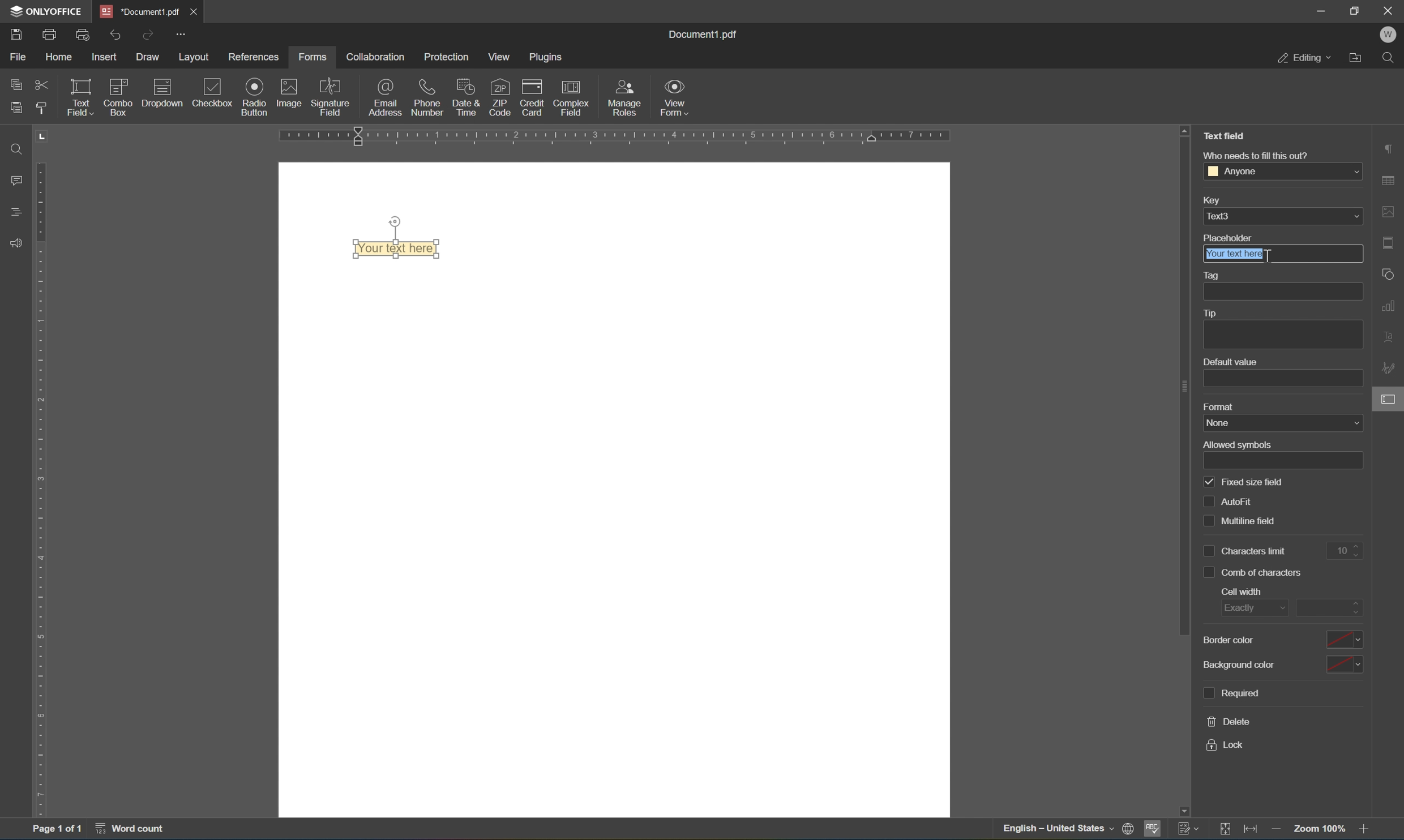 Image resolution: width=1404 pixels, height=840 pixels. What do you see at coordinates (134, 830) in the screenshot?
I see `word count` at bounding box center [134, 830].